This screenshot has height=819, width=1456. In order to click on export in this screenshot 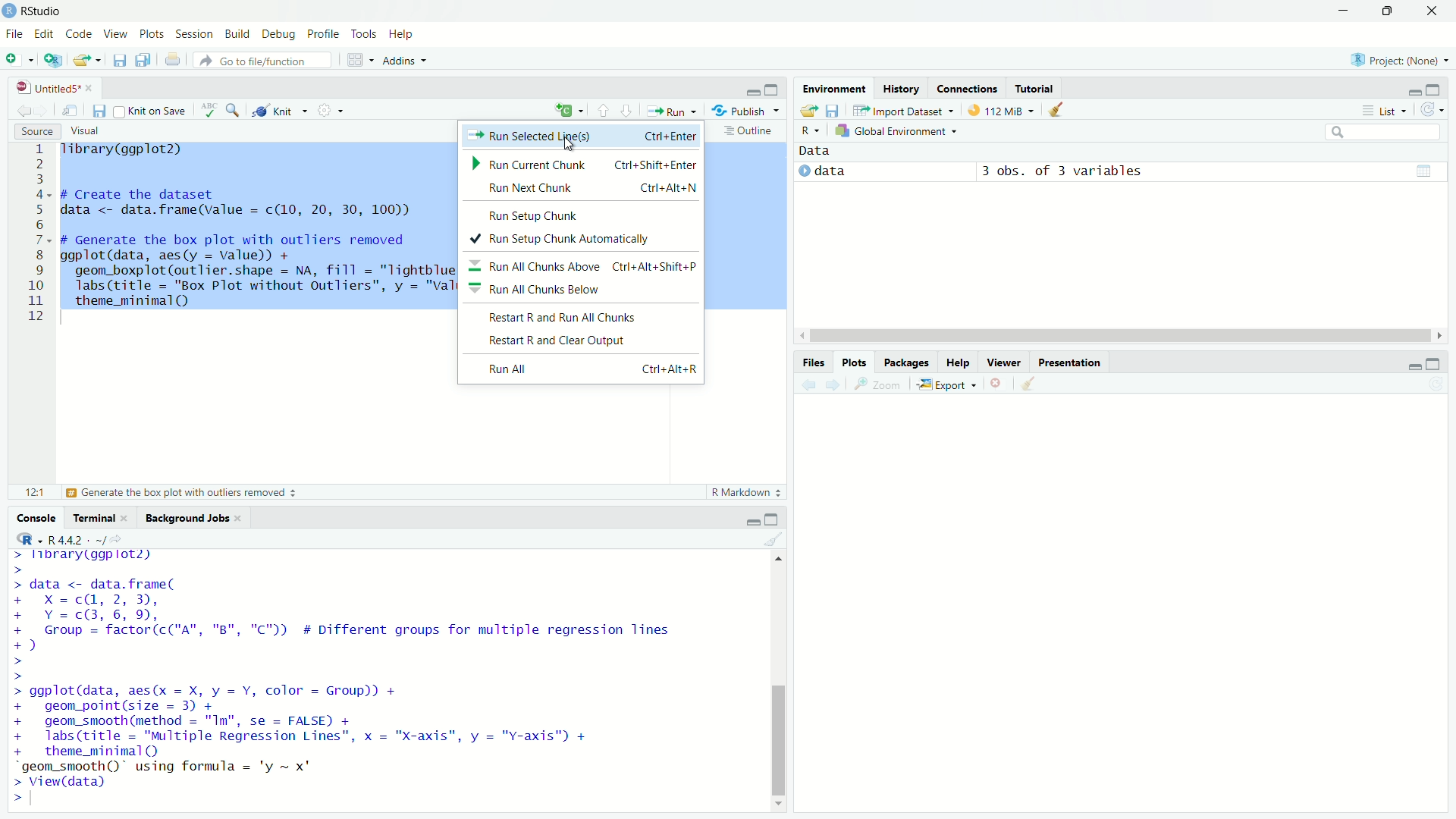, I will do `click(86, 64)`.